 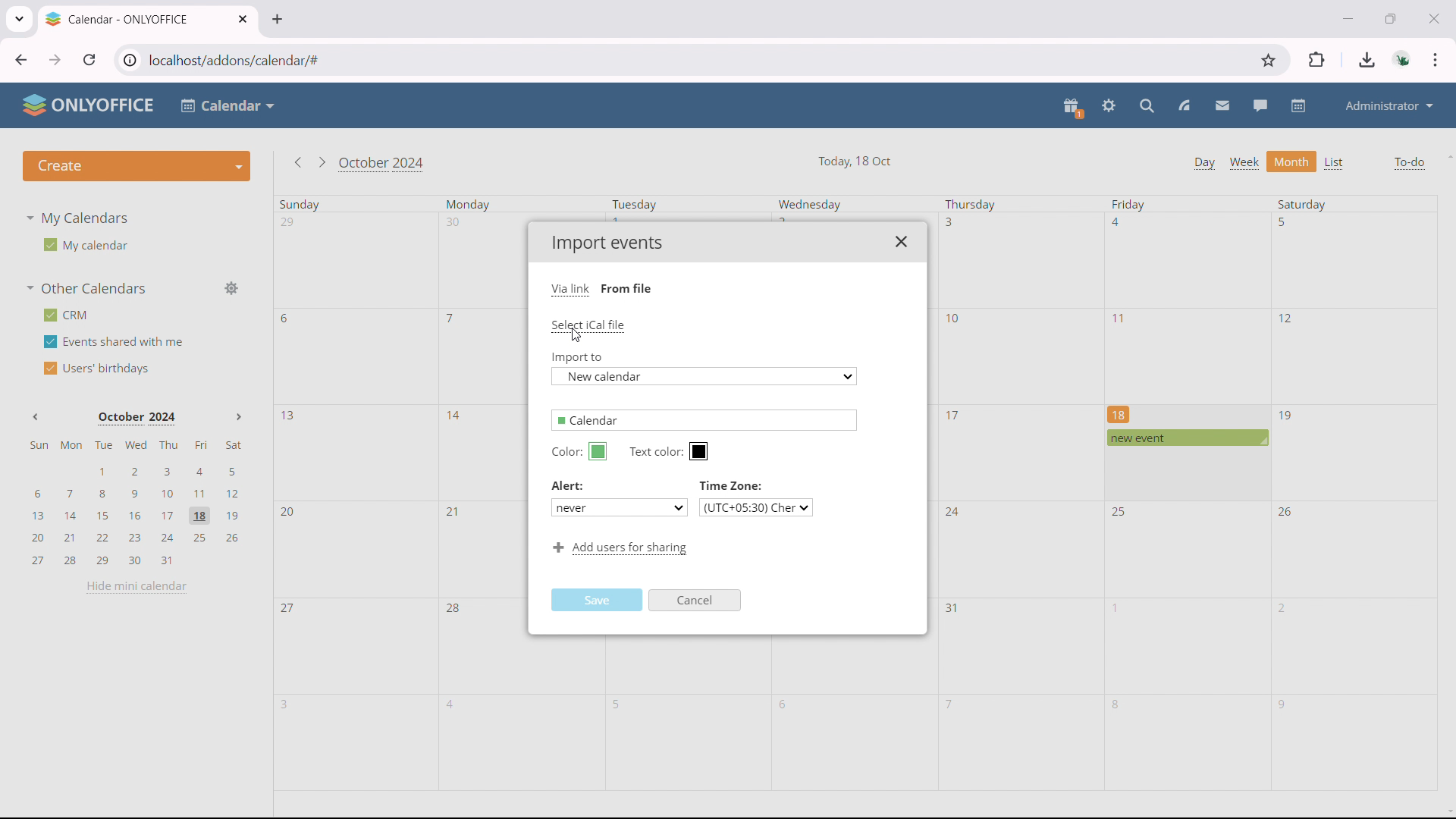 I want to click on never, so click(x=618, y=507).